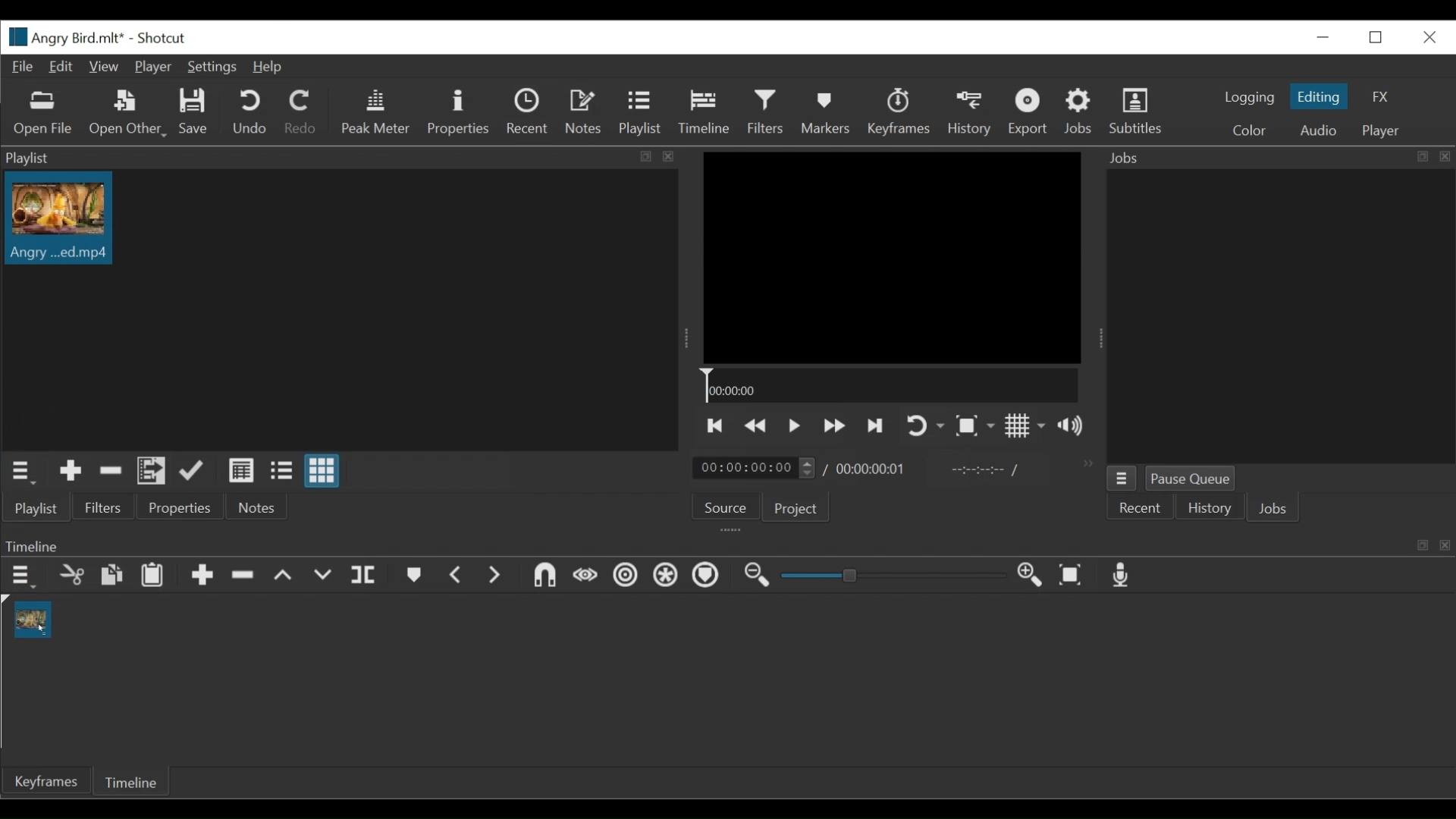 The height and width of the screenshot is (819, 1456). What do you see at coordinates (70, 575) in the screenshot?
I see `Cut` at bounding box center [70, 575].